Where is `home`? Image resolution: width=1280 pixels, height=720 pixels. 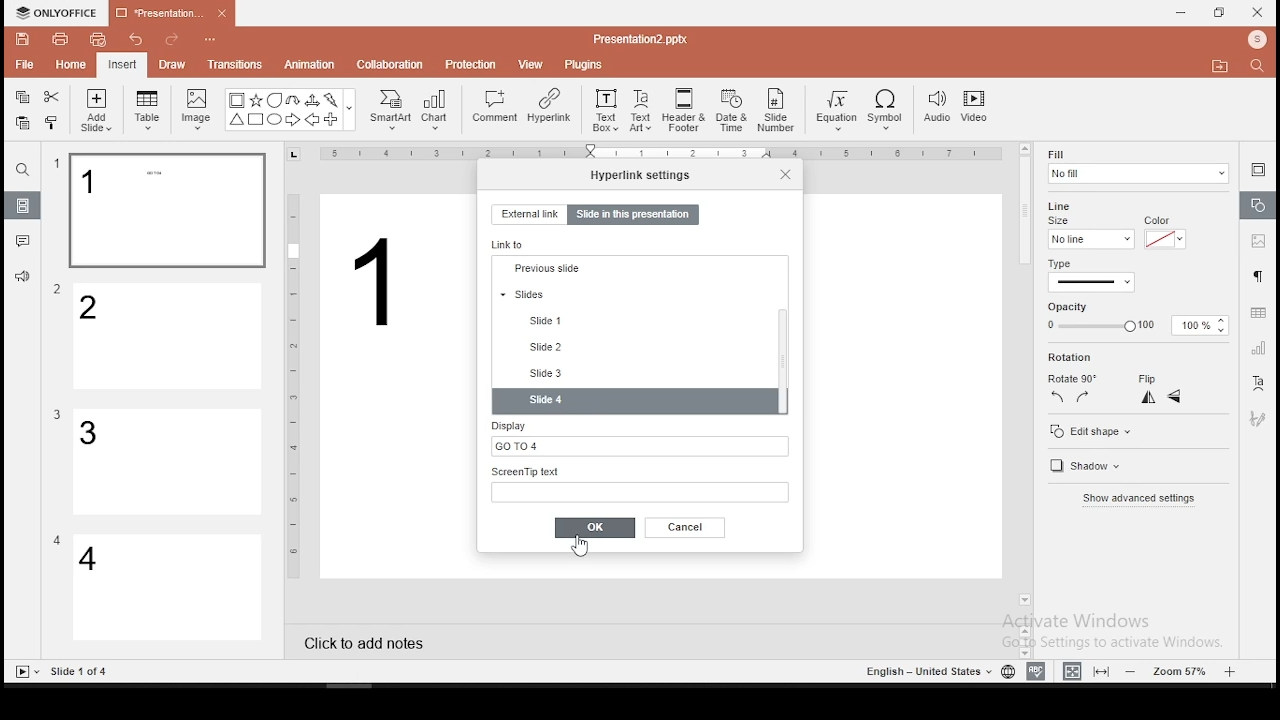
home is located at coordinates (69, 64).